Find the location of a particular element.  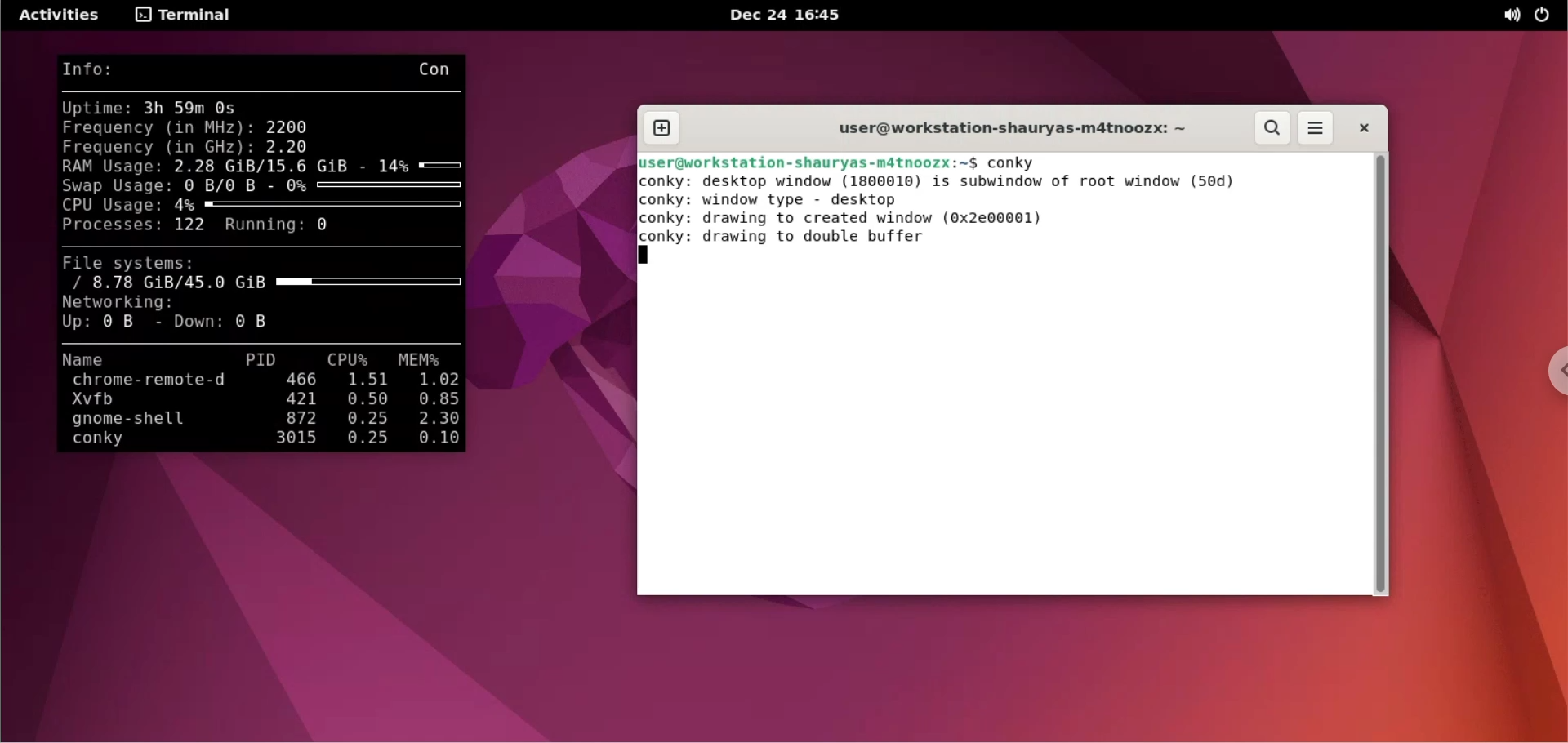

sound options is located at coordinates (1512, 16).